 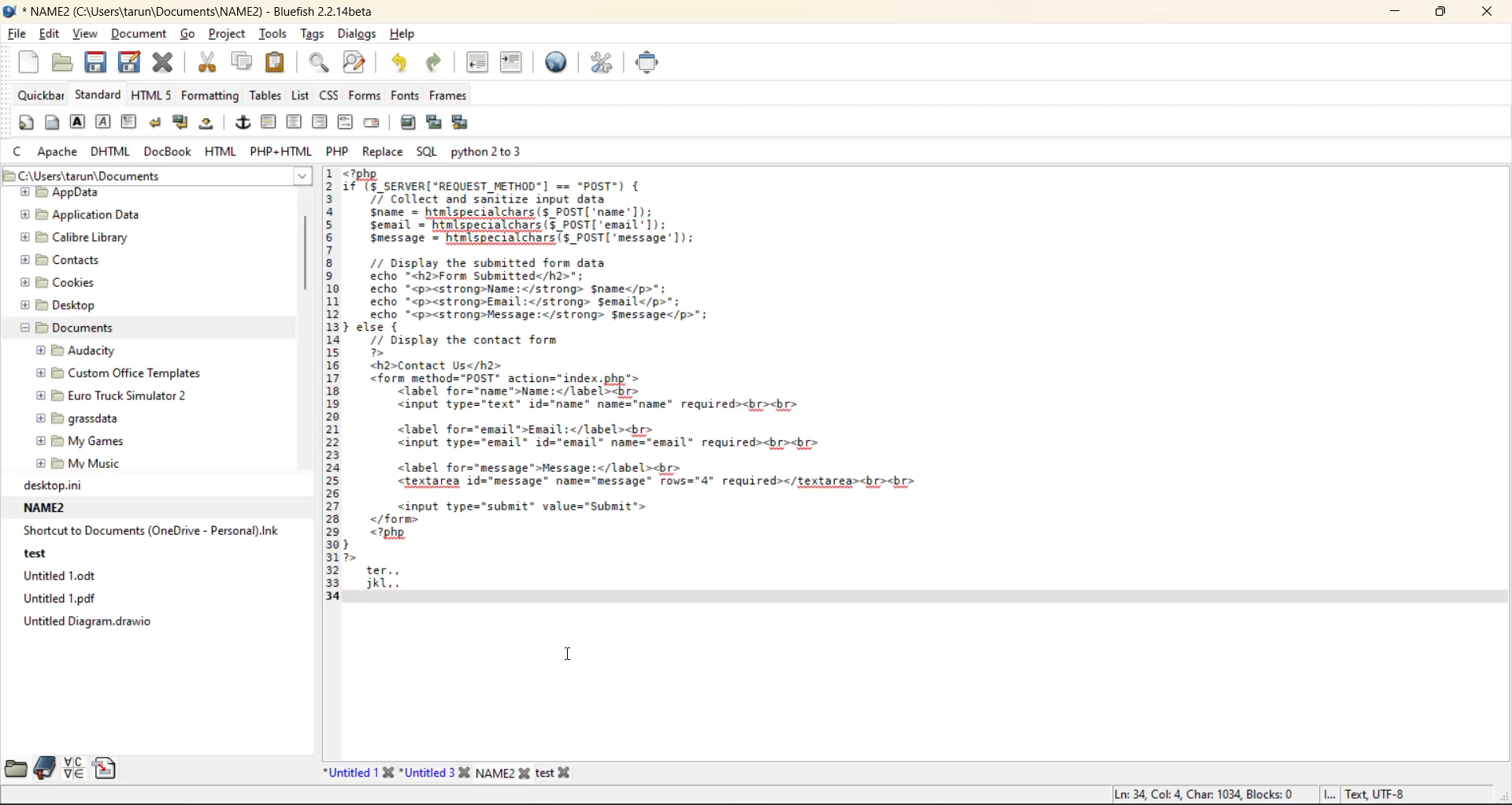 What do you see at coordinates (313, 31) in the screenshot?
I see `tags` at bounding box center [313, 31].